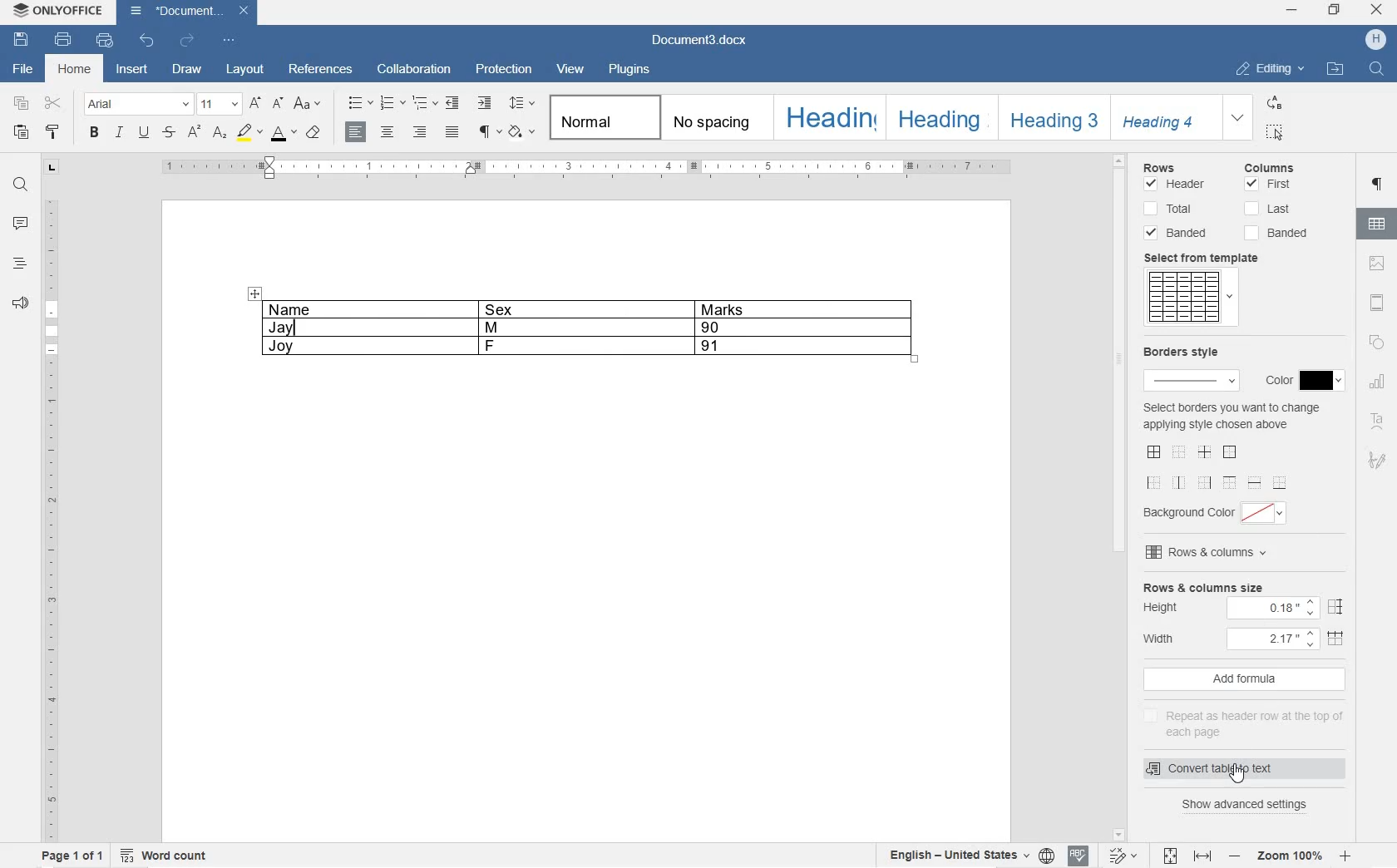  Describe the element at coordinates (484, 102) in the screenshot. I see `INCREASE INDENT` at that location.